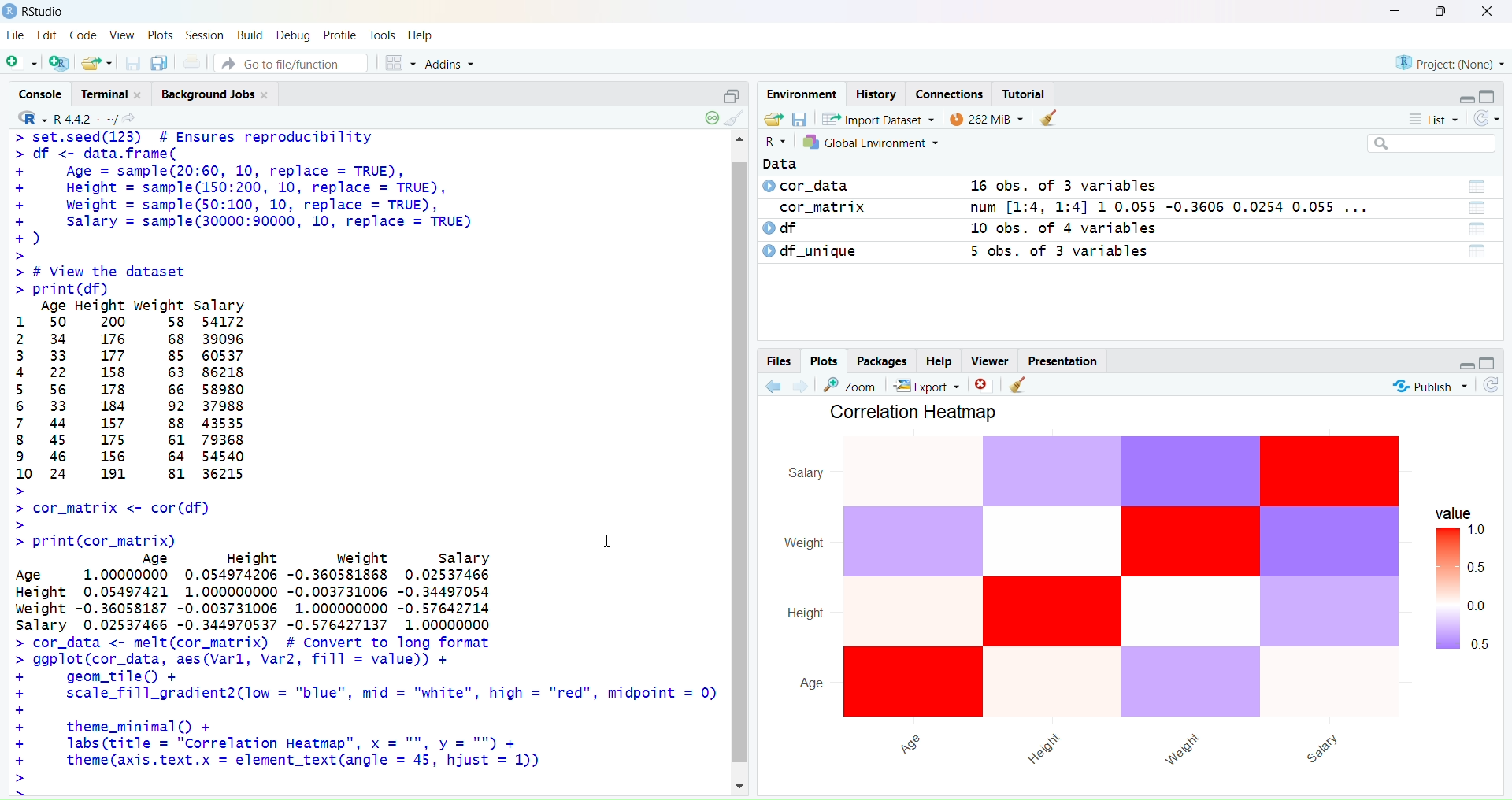 This screenshot has height=800, width=1512. I want to click on Search bar, so click(1431, 144).